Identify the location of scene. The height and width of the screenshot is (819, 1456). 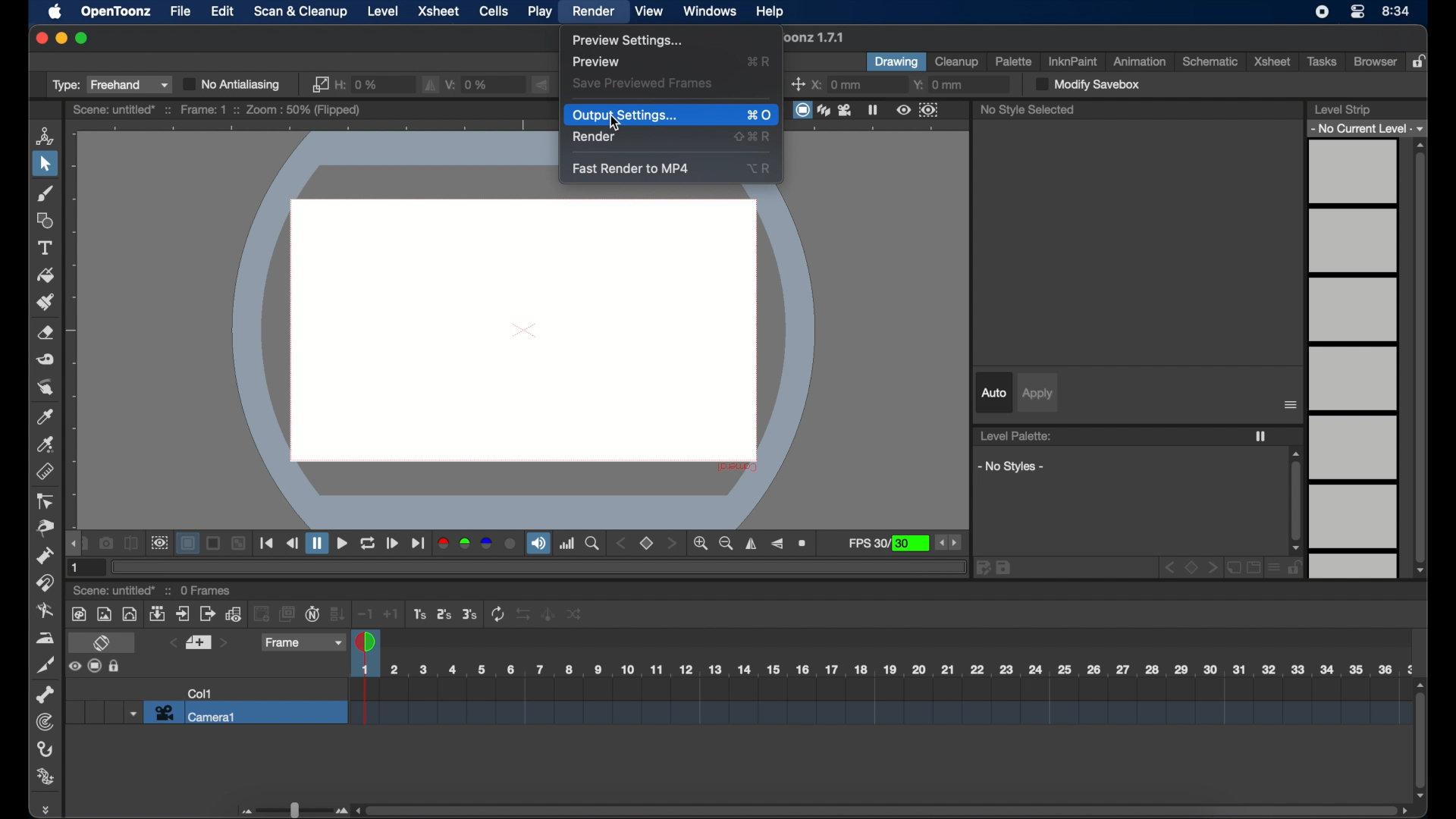
(115, 591).